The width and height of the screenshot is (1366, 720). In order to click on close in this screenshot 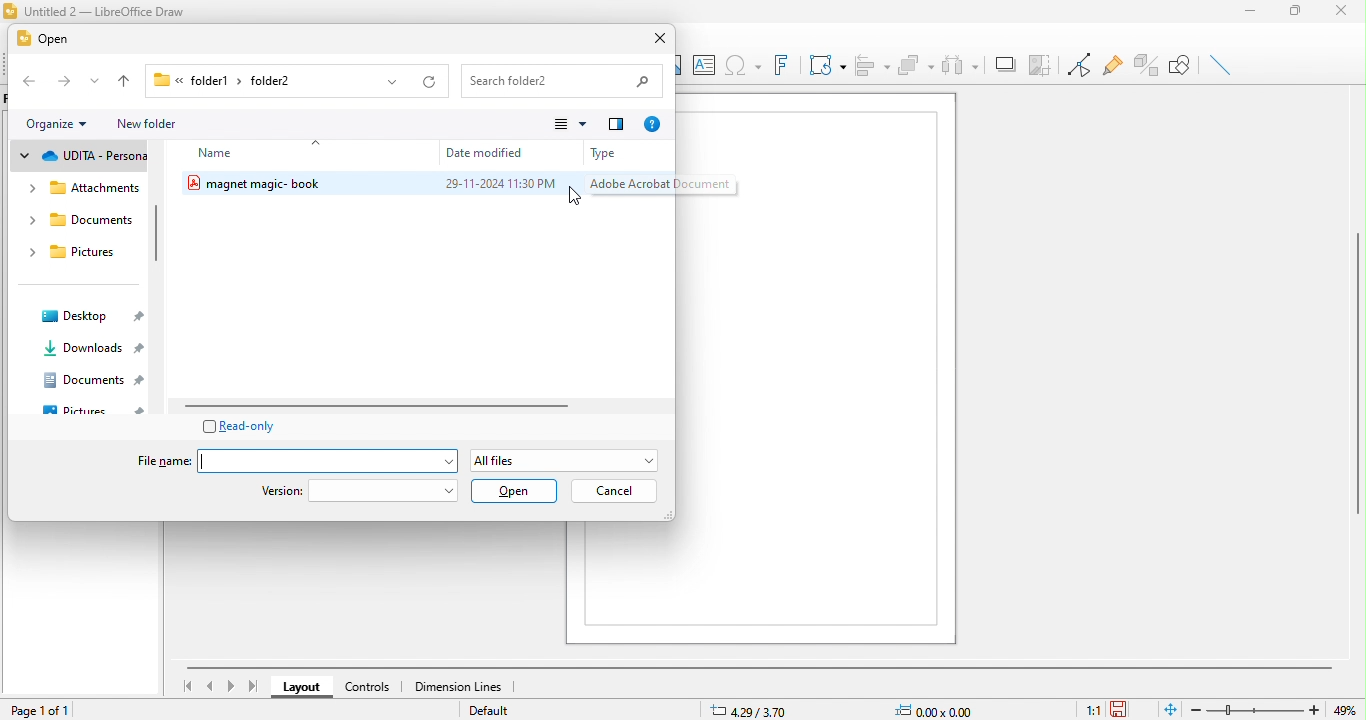, I will do `click(1344, 13)`.